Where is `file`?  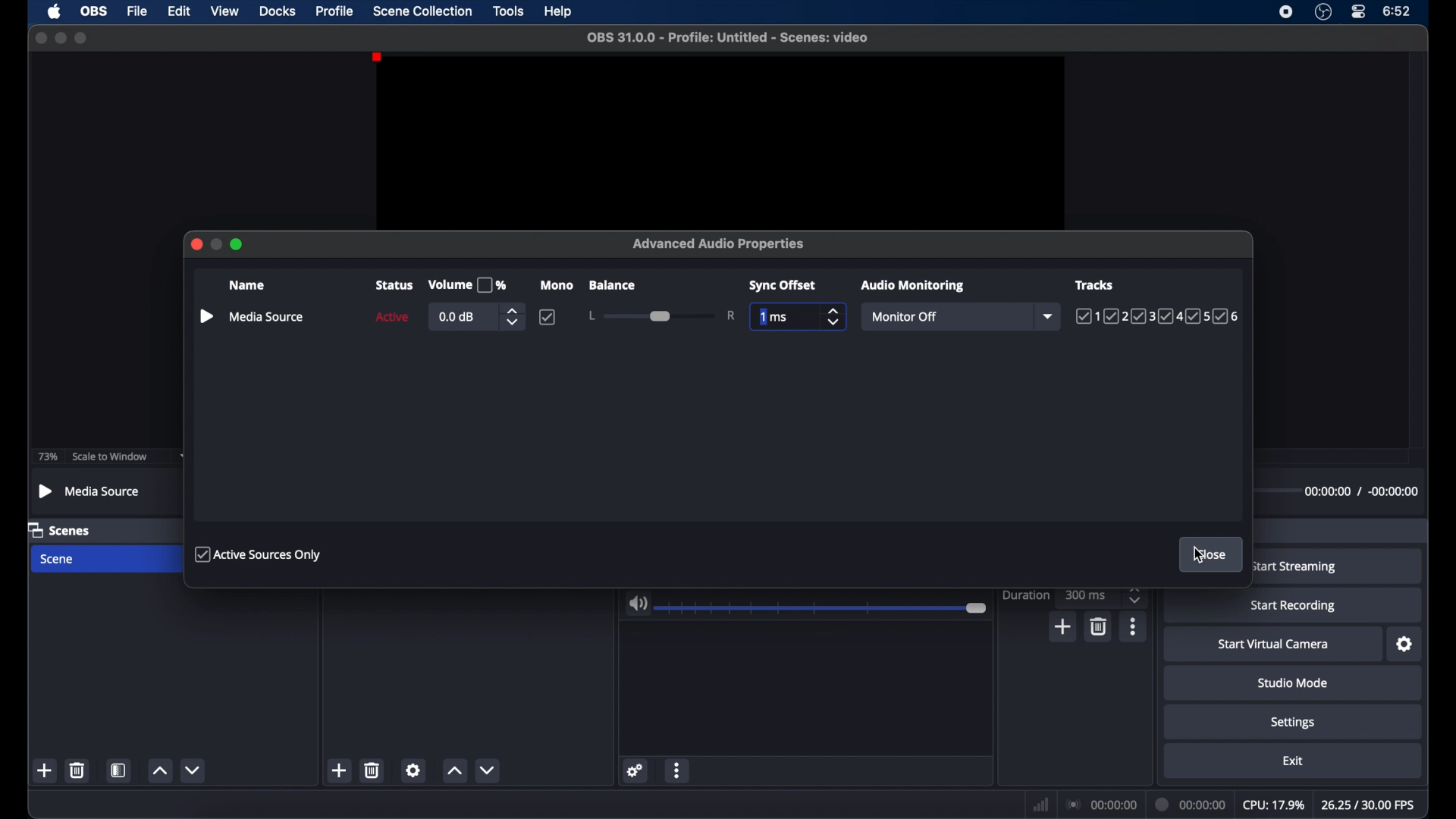
file is located at coordinates (136, 11).